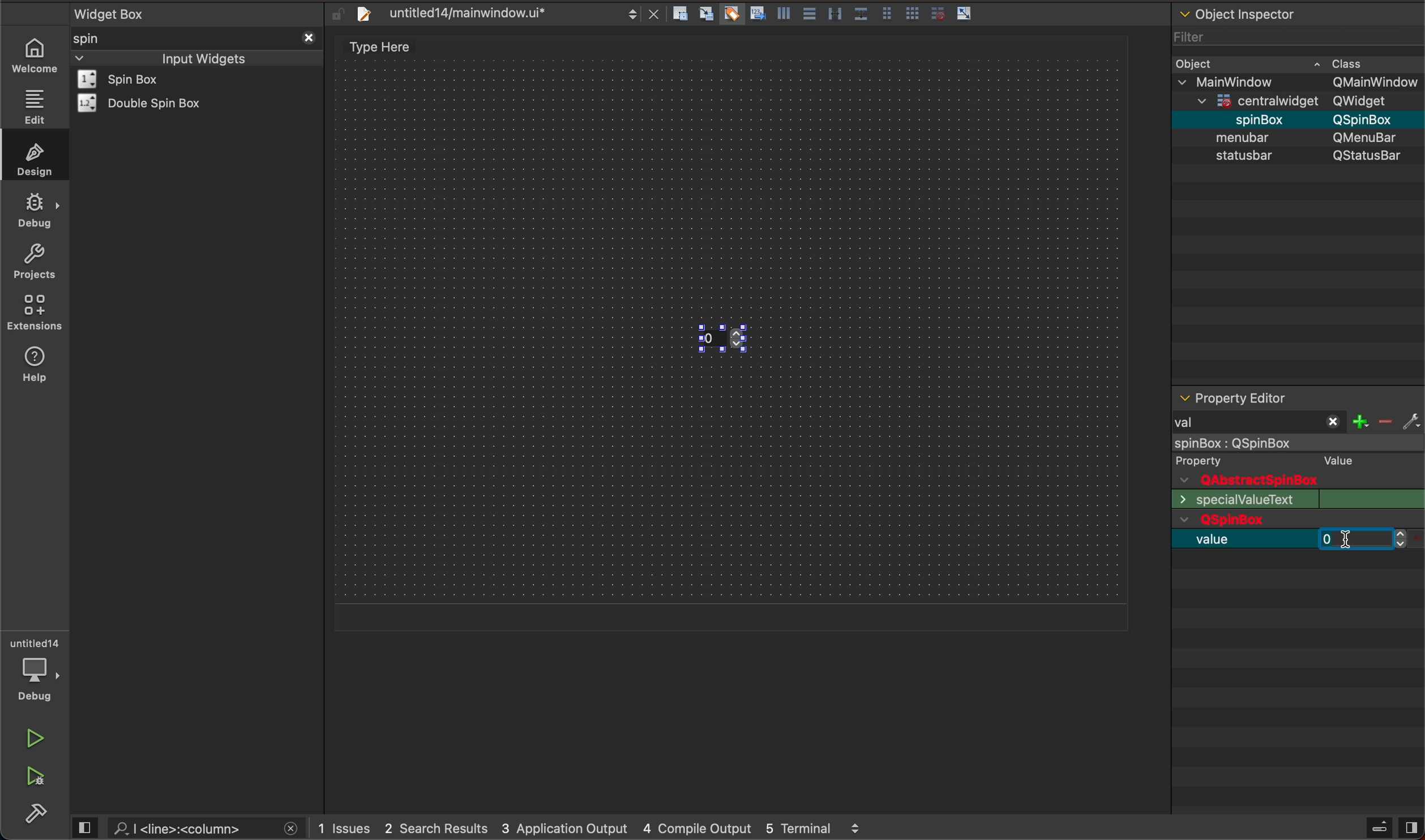 The height and width of the screenshot is (840, 1425). What do you see at coordinates (38, 814) in the screenshot?
I see `build` at bounding box center [38, 814].